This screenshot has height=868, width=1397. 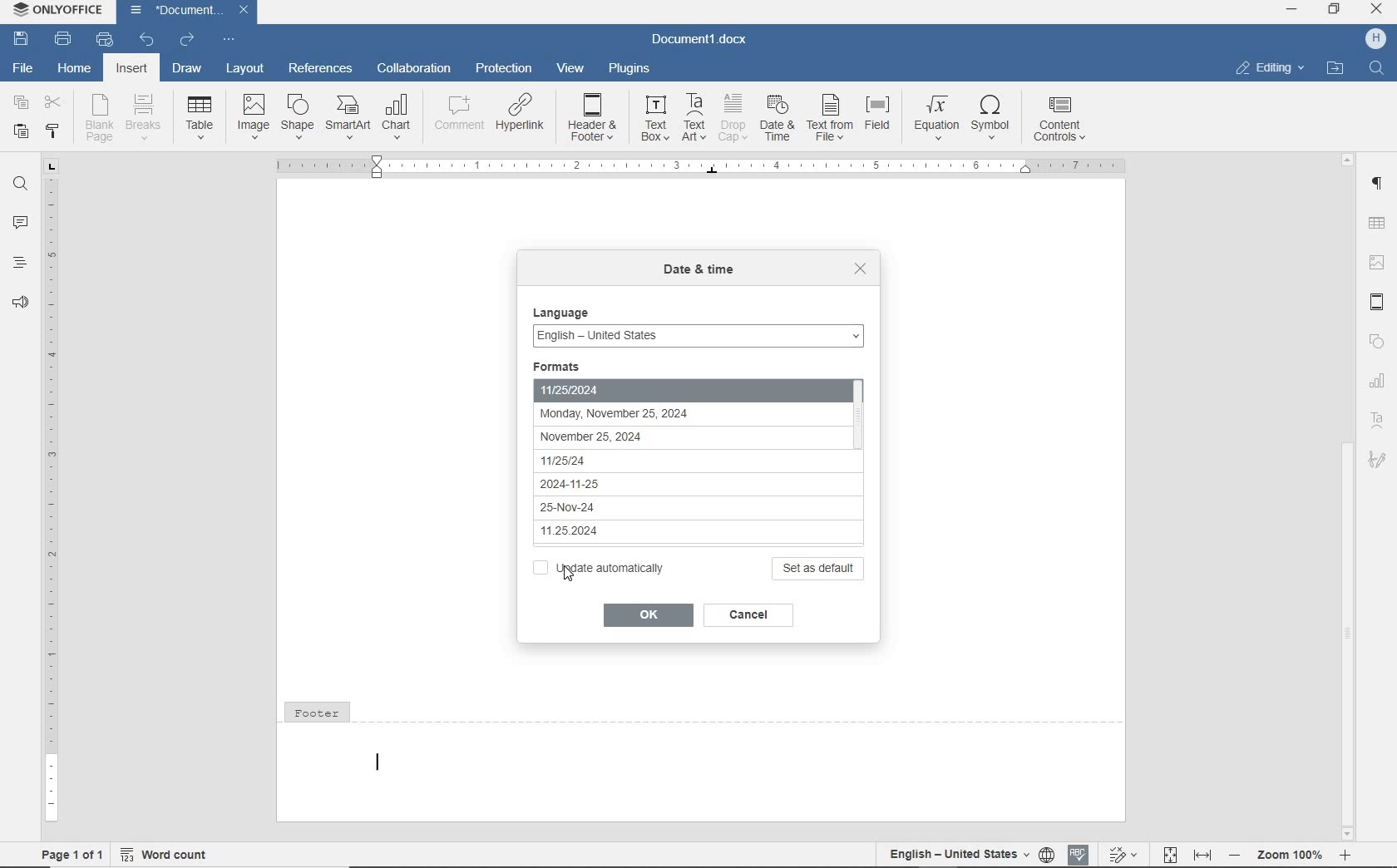 I want to click on OK, so click(x=645, y=614).